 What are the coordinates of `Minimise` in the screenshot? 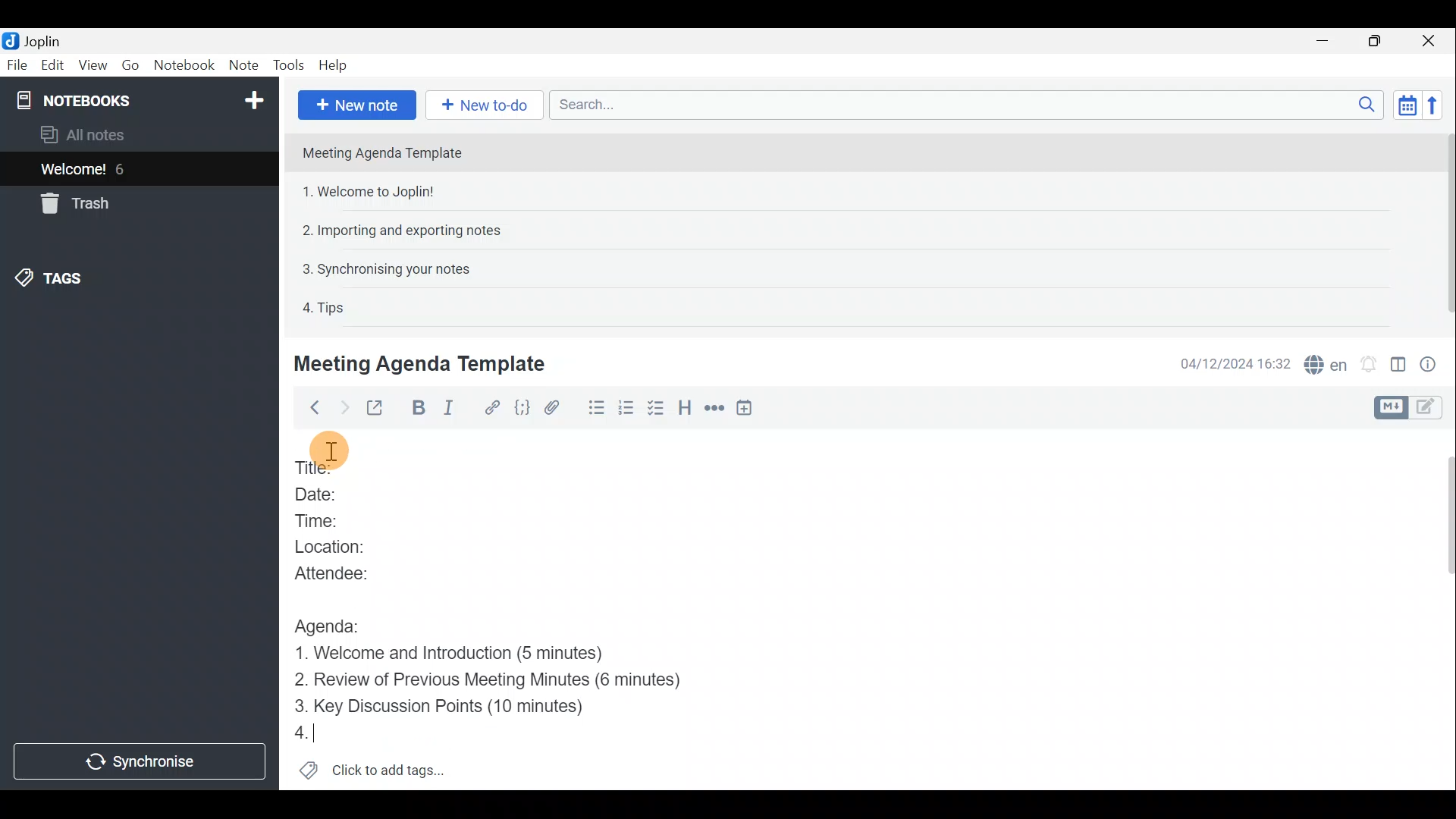 It's located at (1325, 40).